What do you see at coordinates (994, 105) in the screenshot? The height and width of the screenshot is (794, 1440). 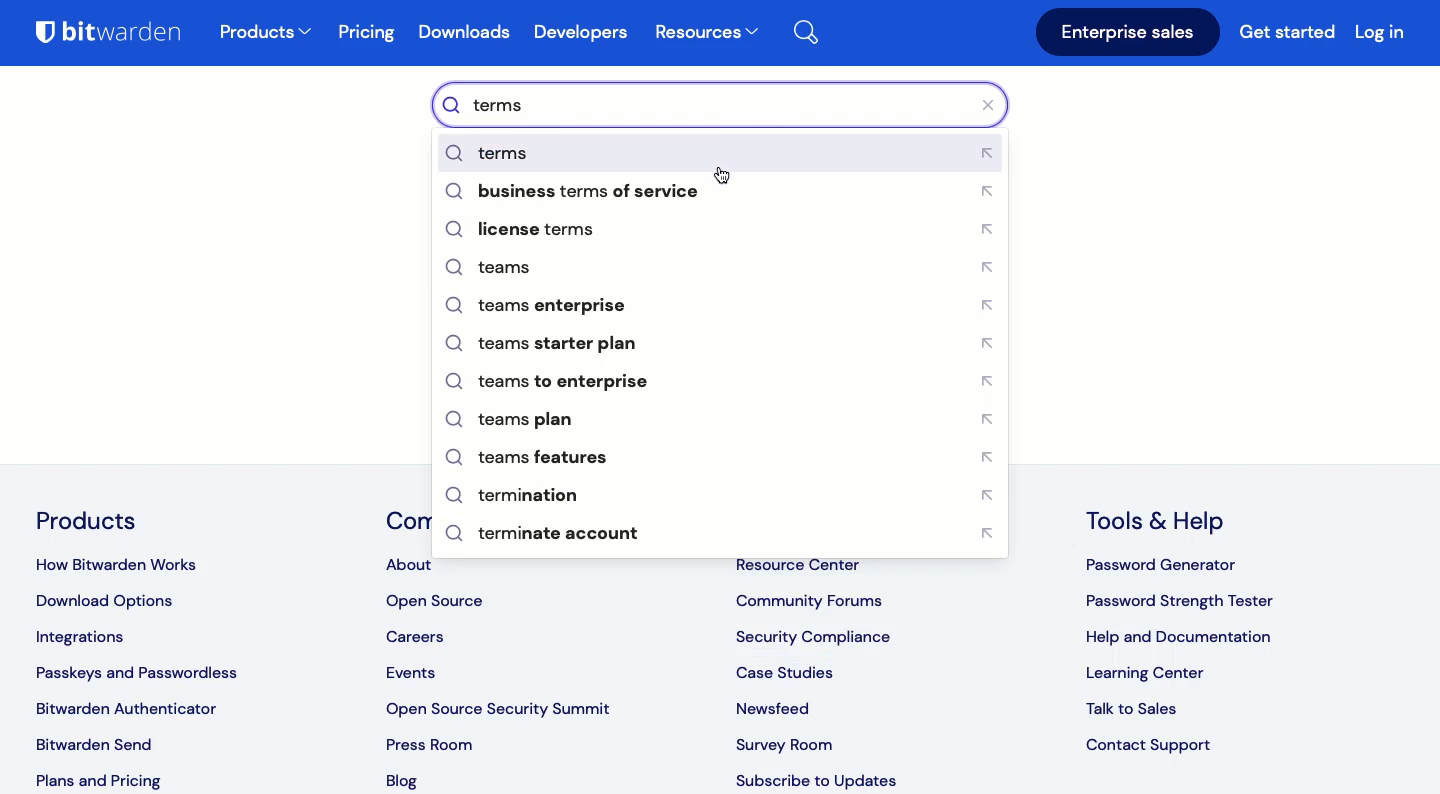 I see `close` at bounding box center [994, 105].